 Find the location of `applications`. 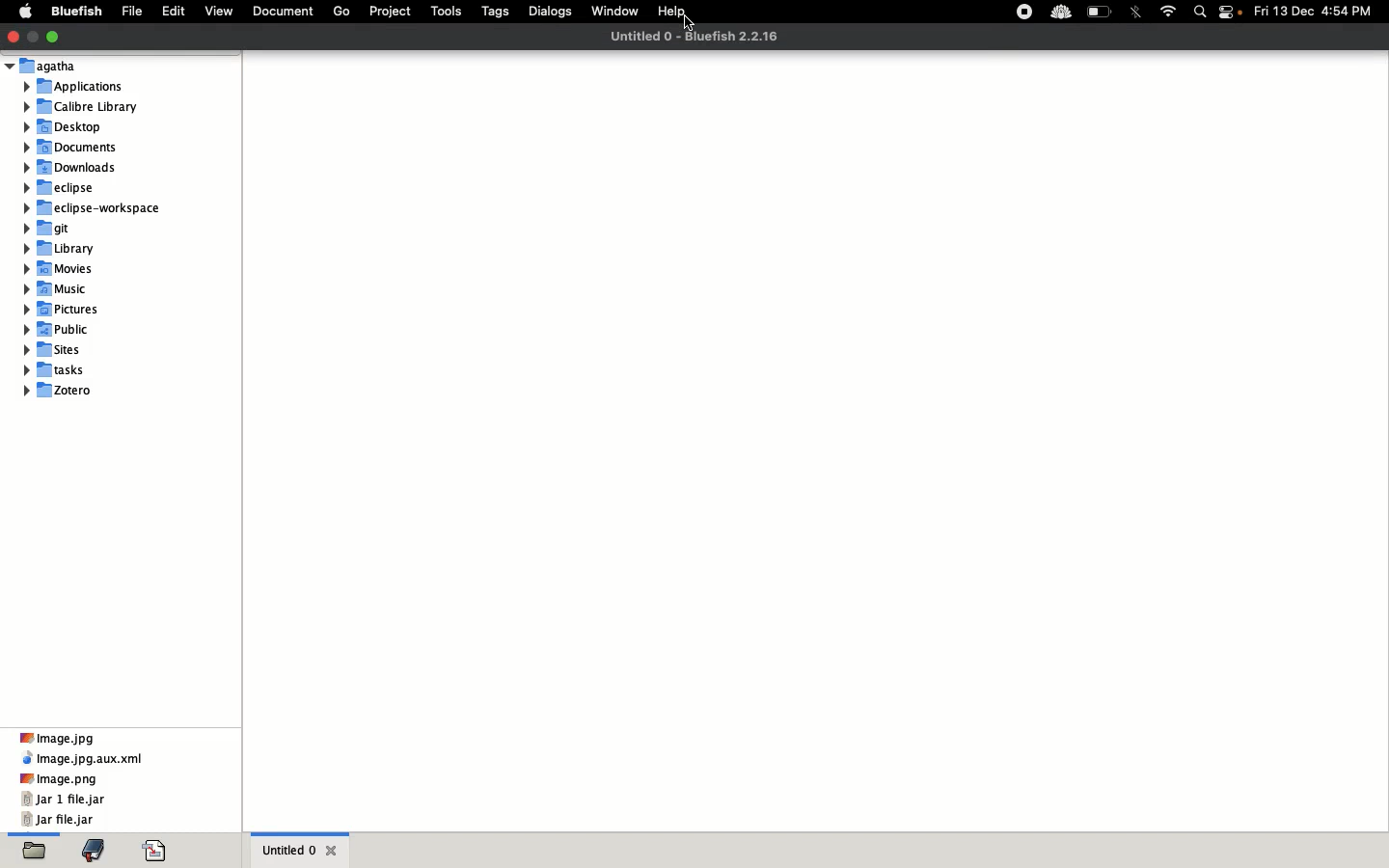

applications is located at coordinates (76, 86).